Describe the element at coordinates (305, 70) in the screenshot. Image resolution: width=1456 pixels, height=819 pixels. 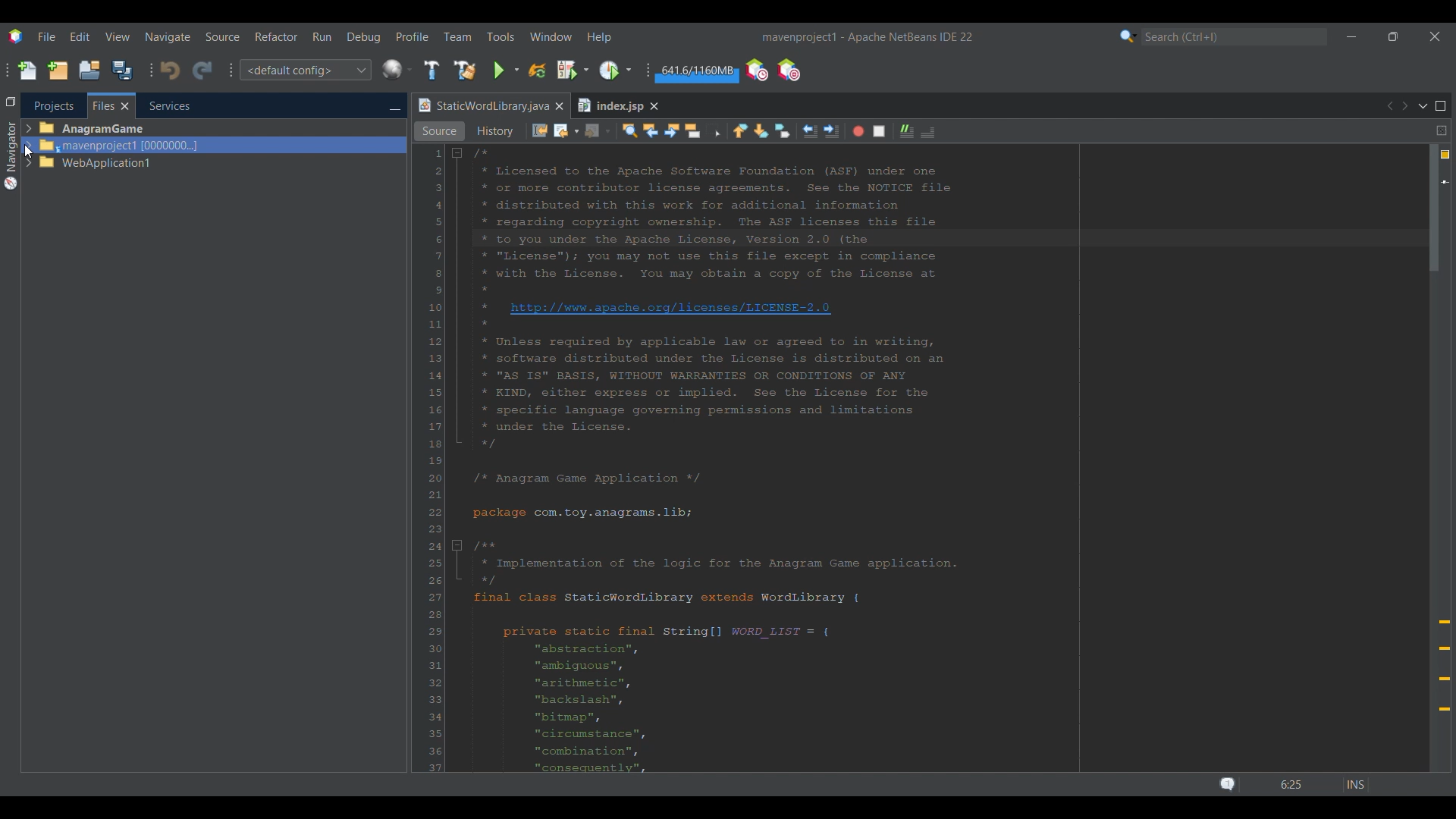
I see `Configuration options` at that location.